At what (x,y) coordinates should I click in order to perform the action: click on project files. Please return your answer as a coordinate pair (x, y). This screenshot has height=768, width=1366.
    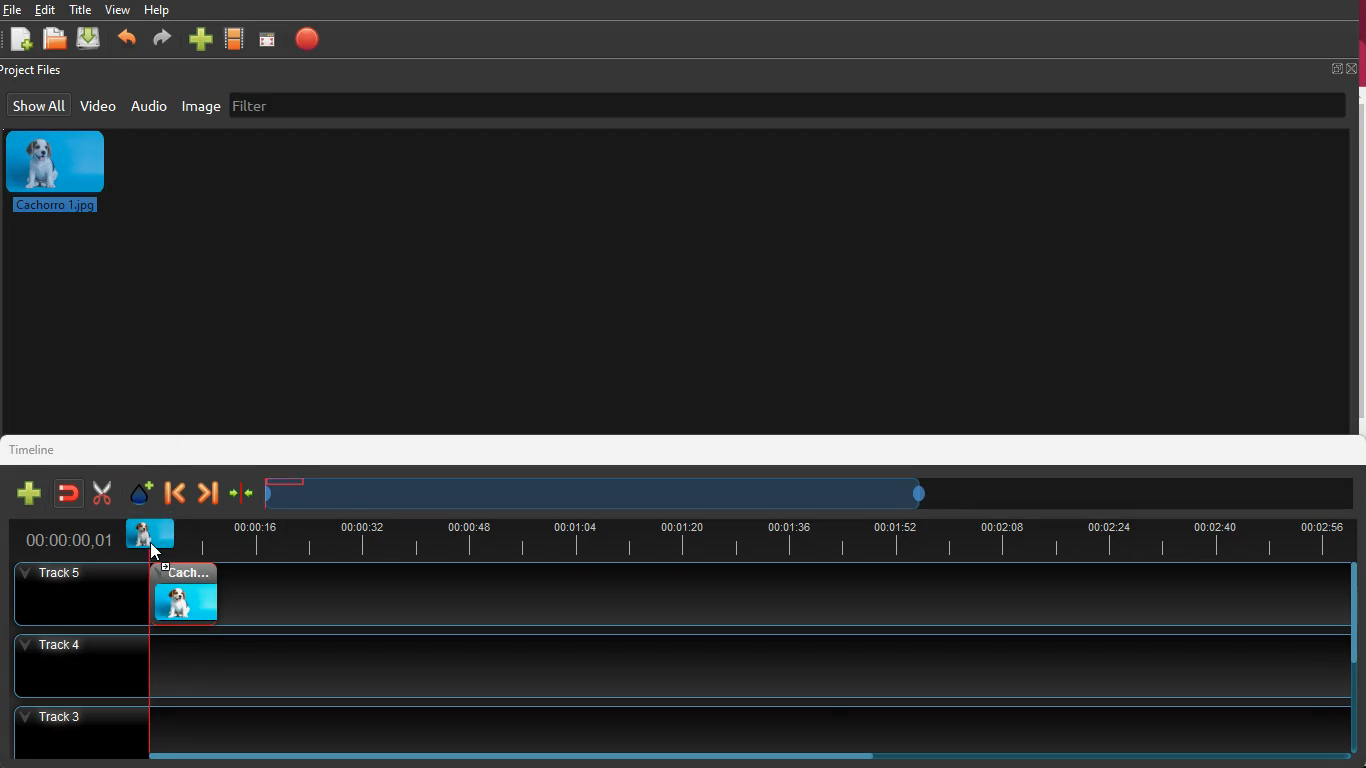
    Looking at the image, I should click on (34, 71).